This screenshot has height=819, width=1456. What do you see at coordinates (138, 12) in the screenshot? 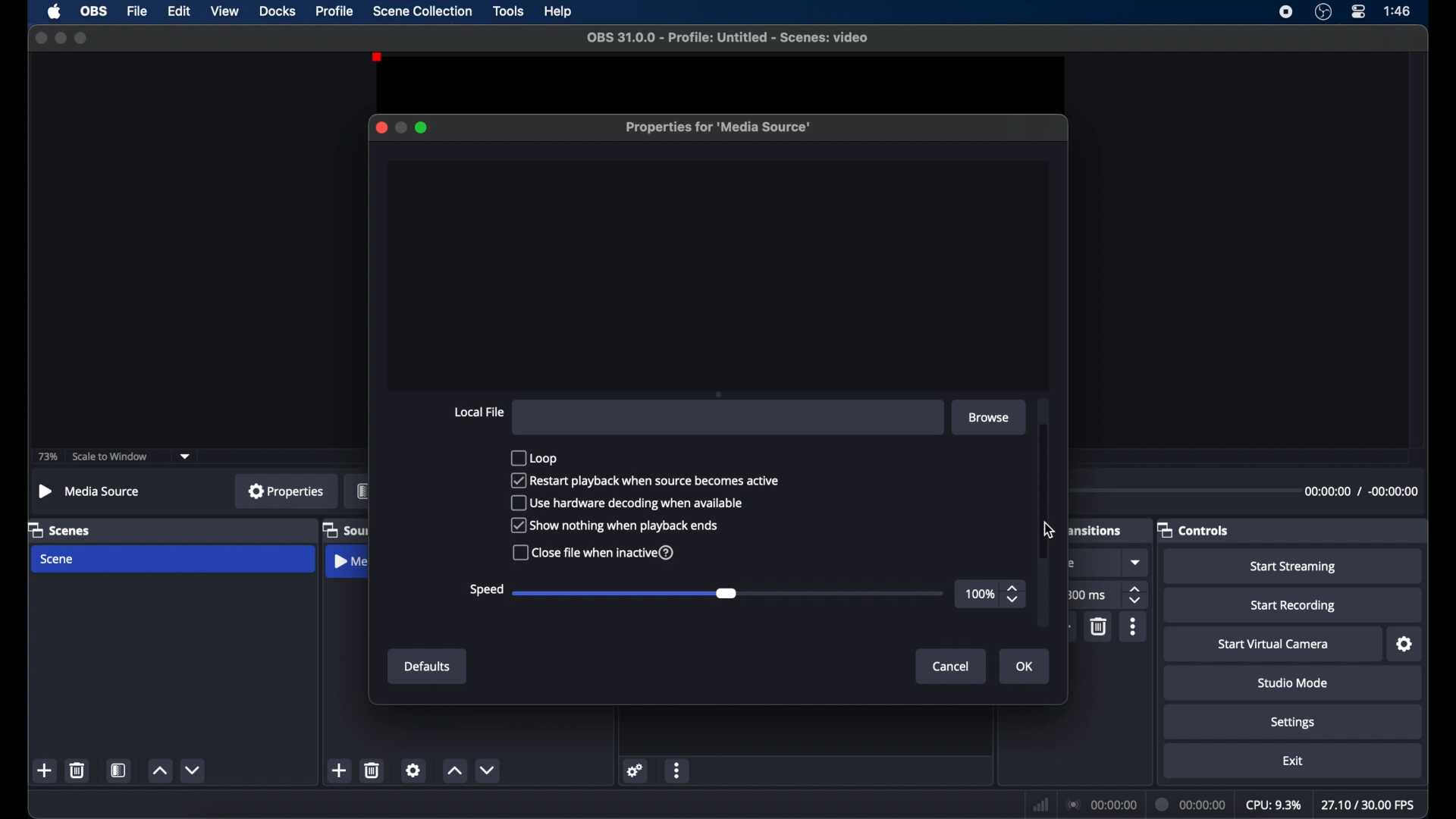
I see `file` at bounding box center [138, 12].